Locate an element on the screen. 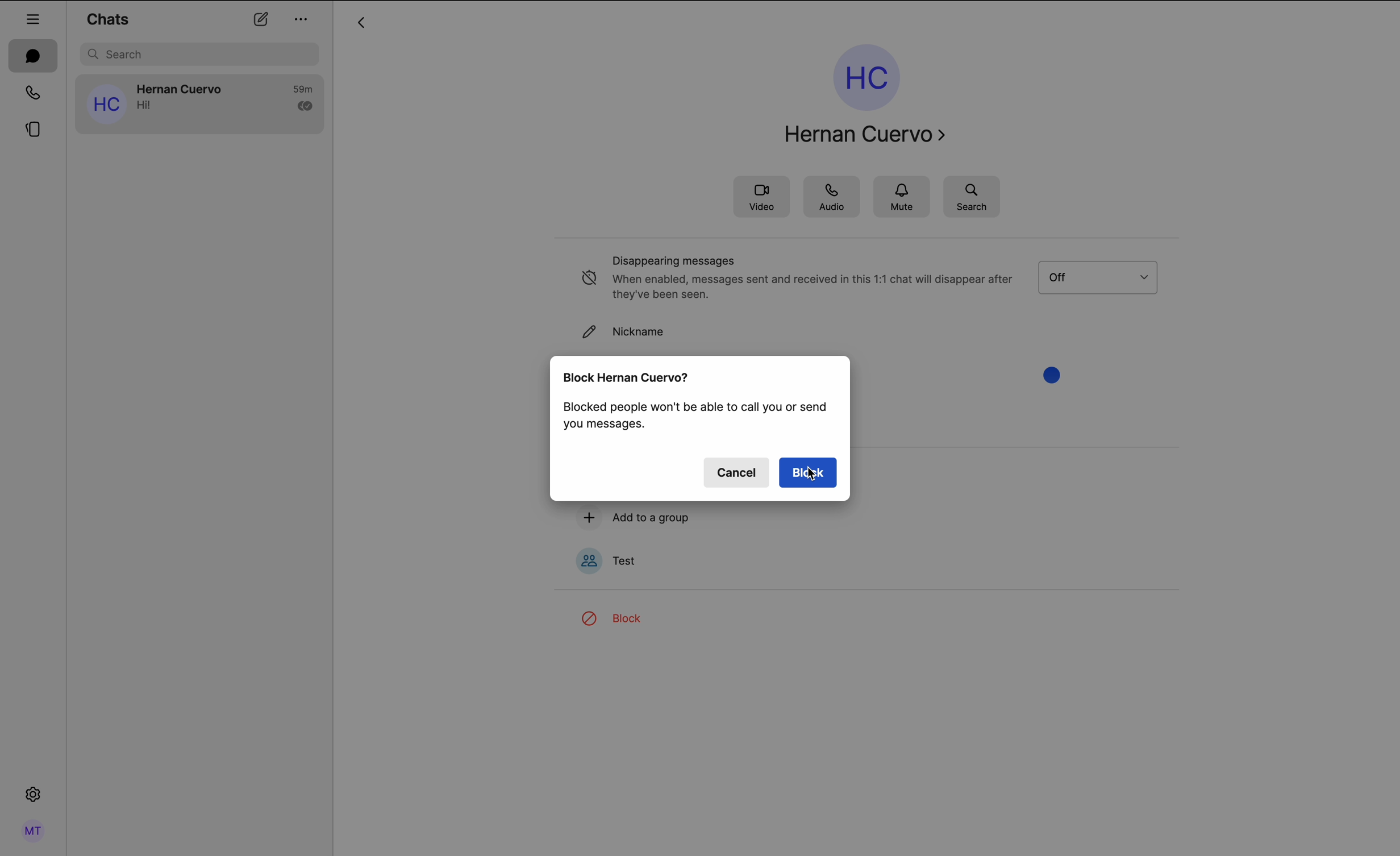 This screenshot has width=1400, height=856. chats is located at coordinates (33, 56).